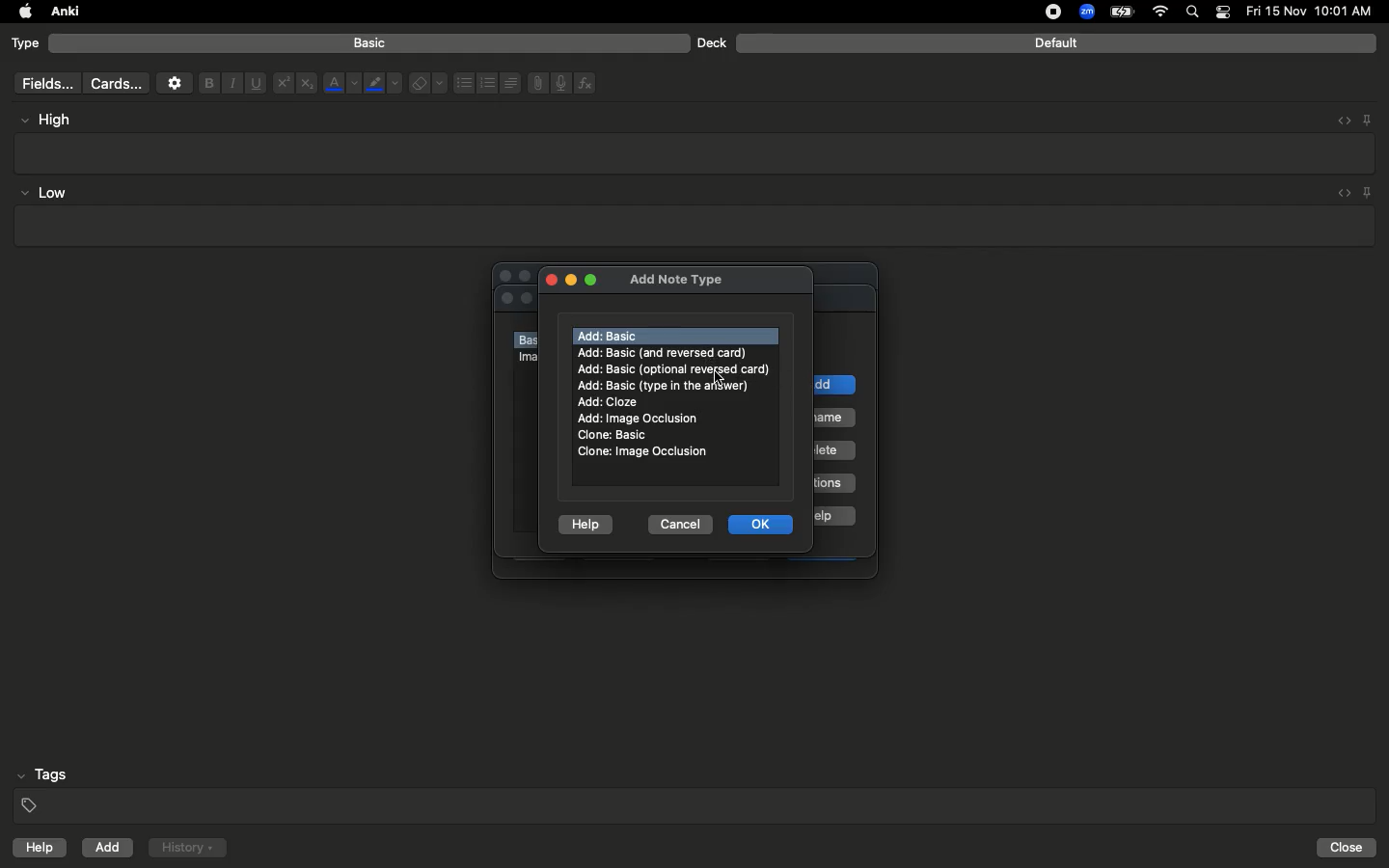  I want to click on Bold, so click(207, 82).